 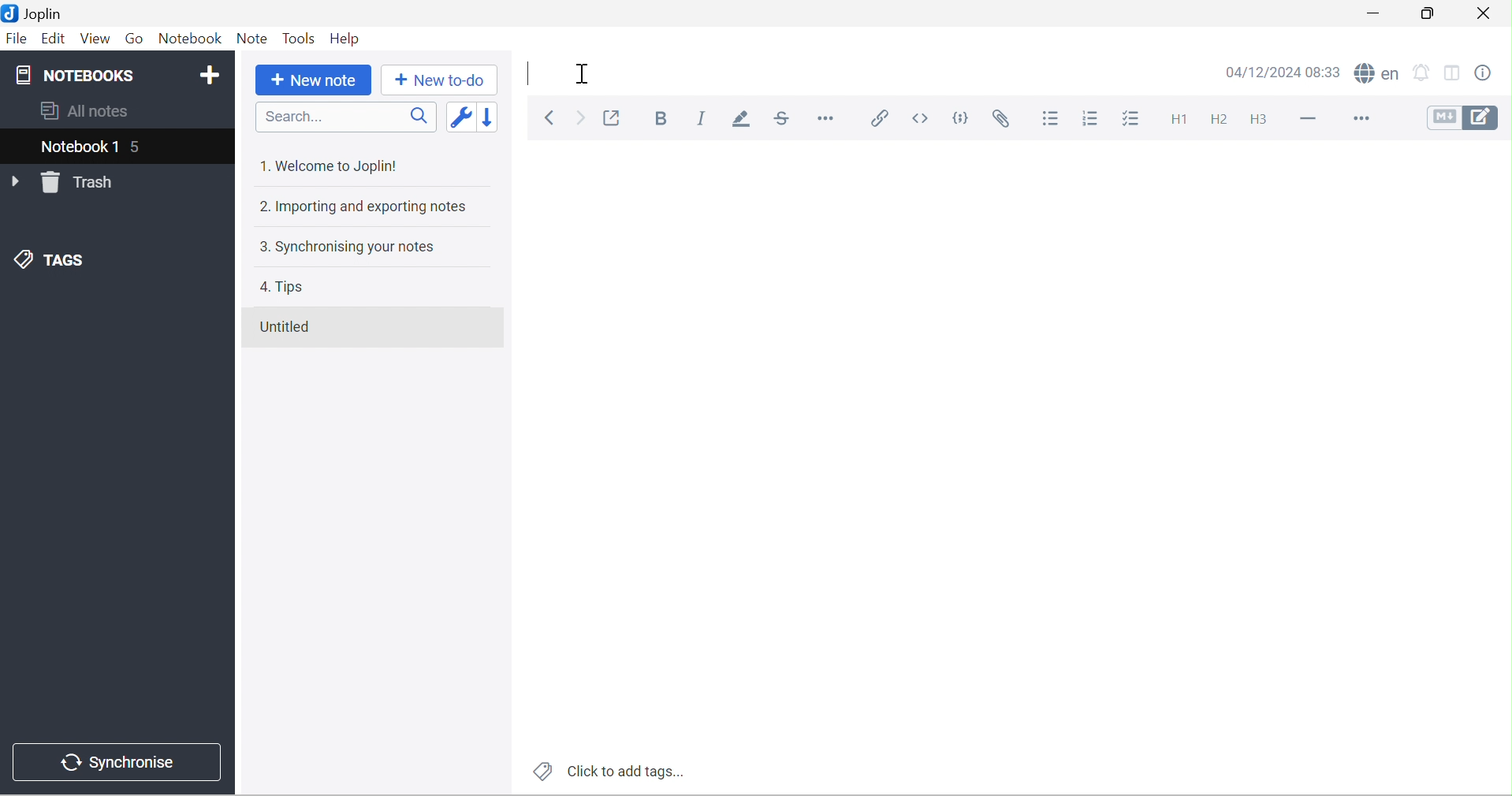 What do you see at coordinates (1005, 120) in the screenshot?
I see `Attach file` at bounding box center [1005, 120].